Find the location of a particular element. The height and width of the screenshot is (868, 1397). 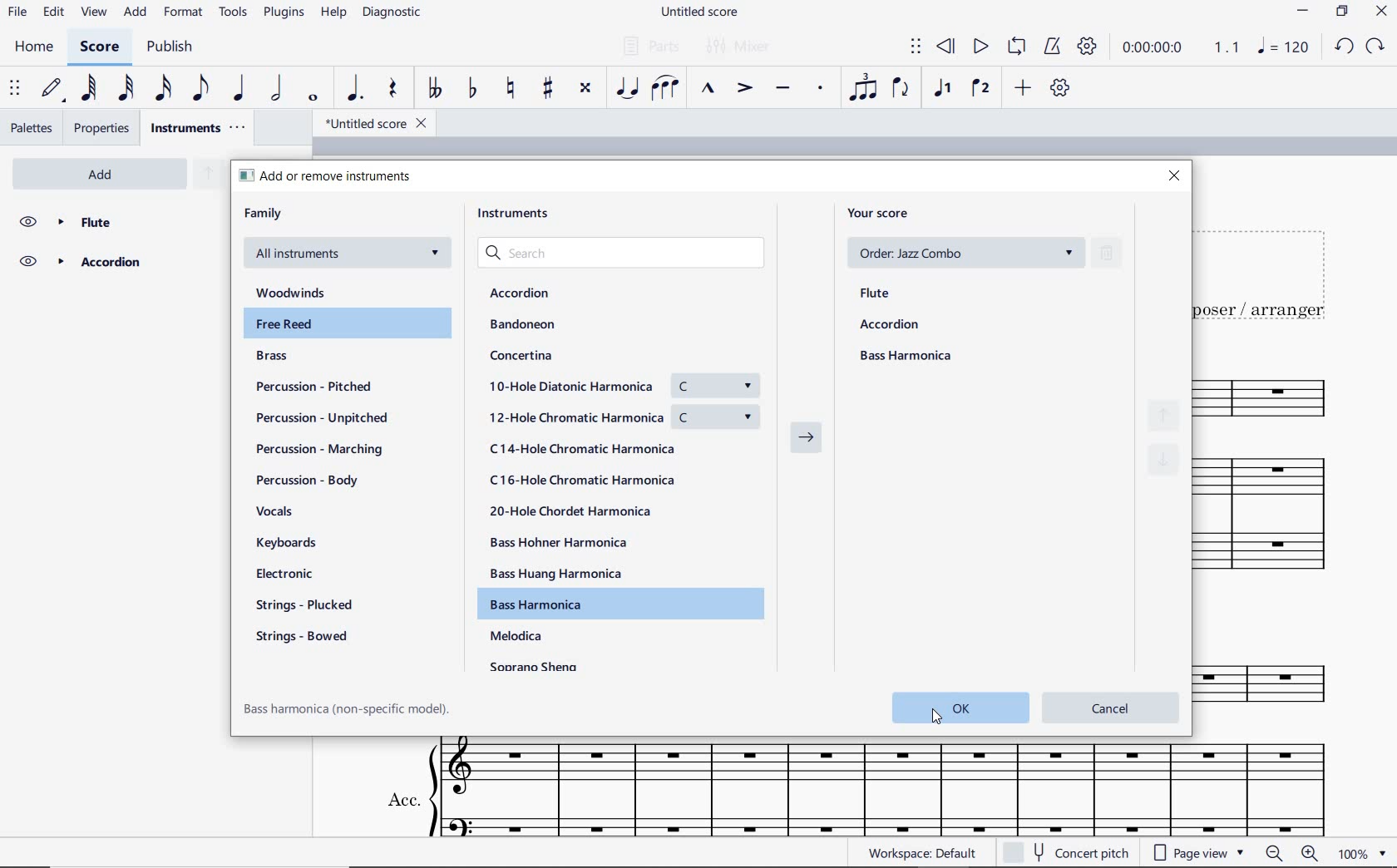

Playback speed is located at coordinates (1228, 47).